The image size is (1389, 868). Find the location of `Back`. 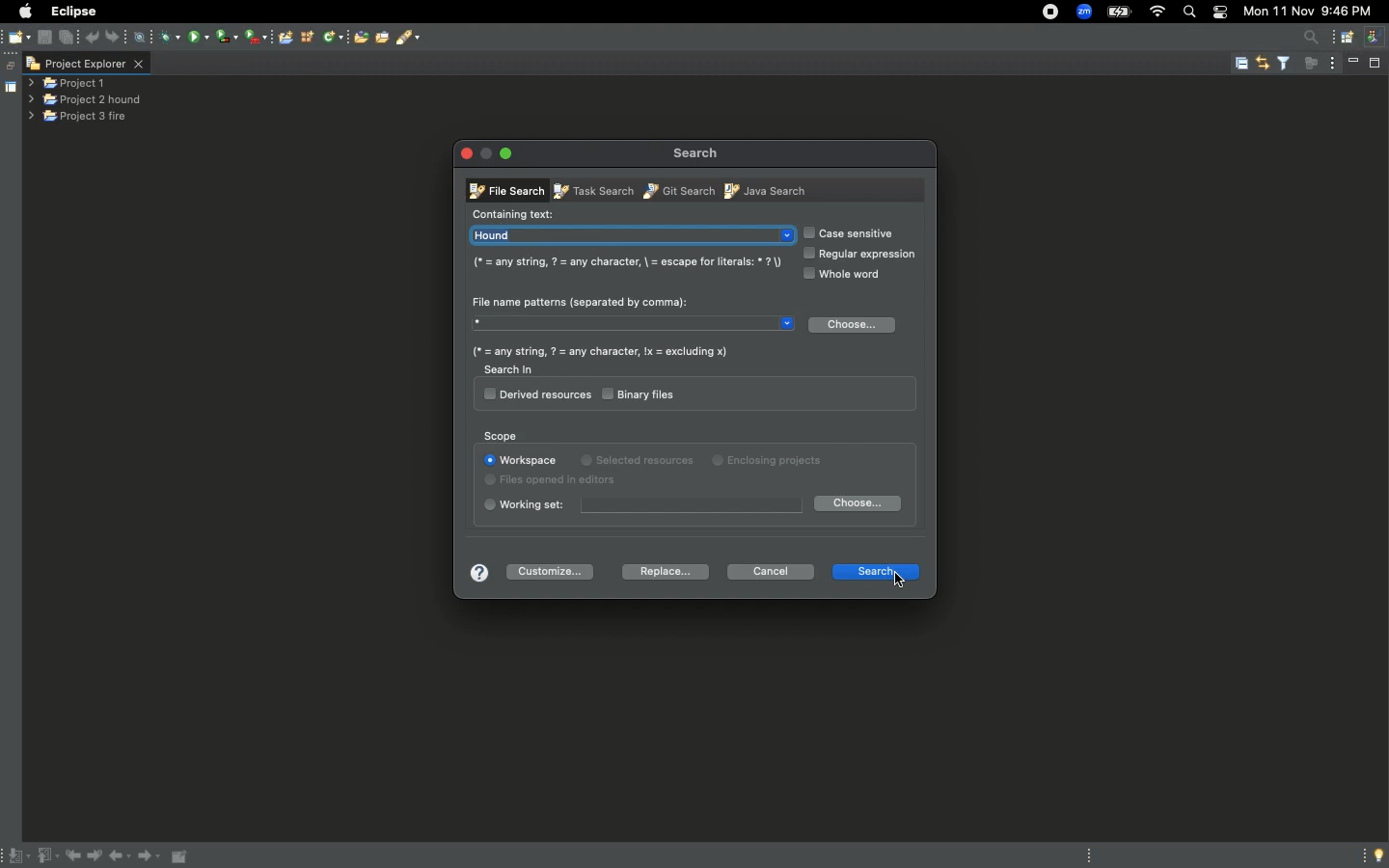

Back is located at coordinates (122, 858).